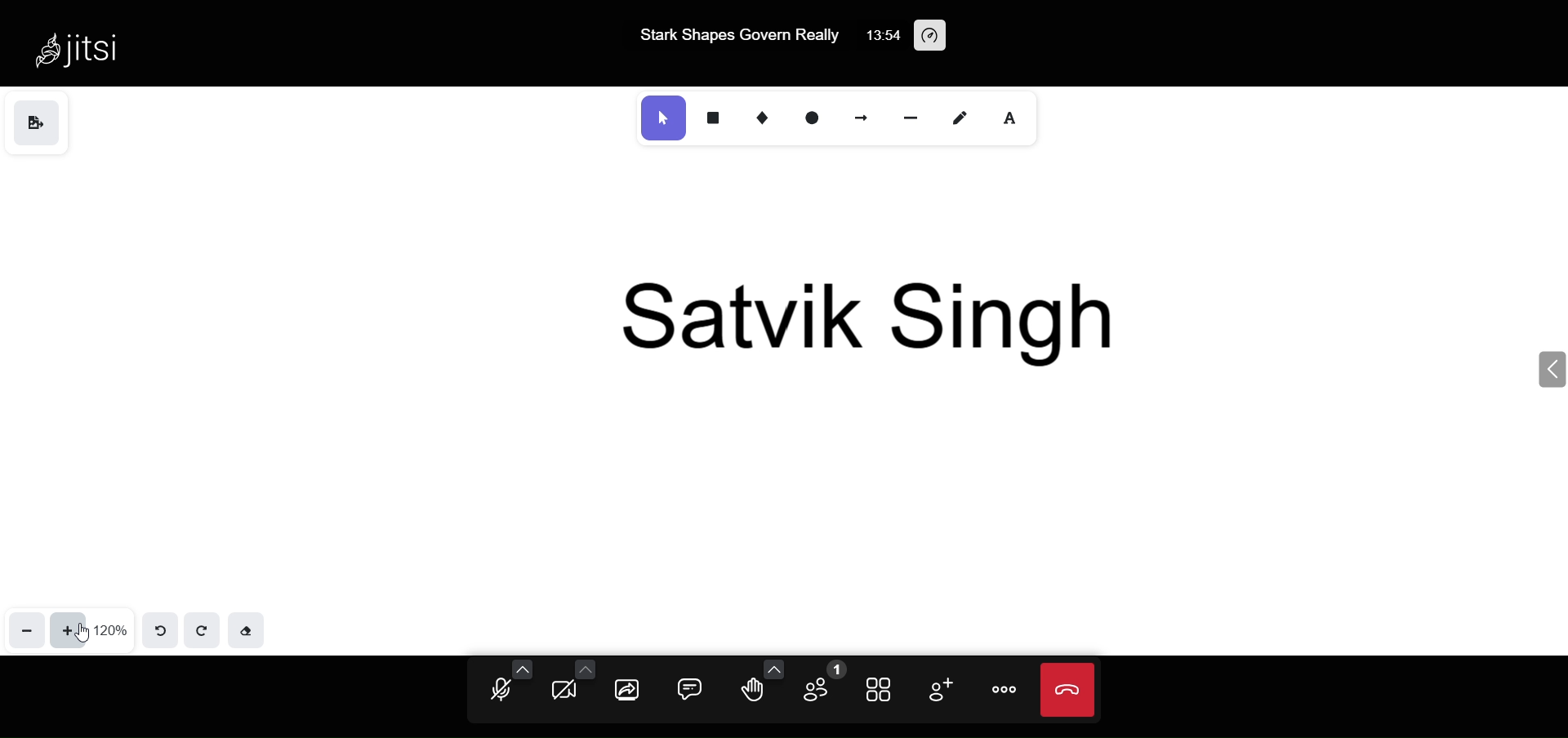 The width and height of the screenshot is (1568, 738). Describe the element at coordinates (201, 630) in the screenshot. I see `redo` at that location.